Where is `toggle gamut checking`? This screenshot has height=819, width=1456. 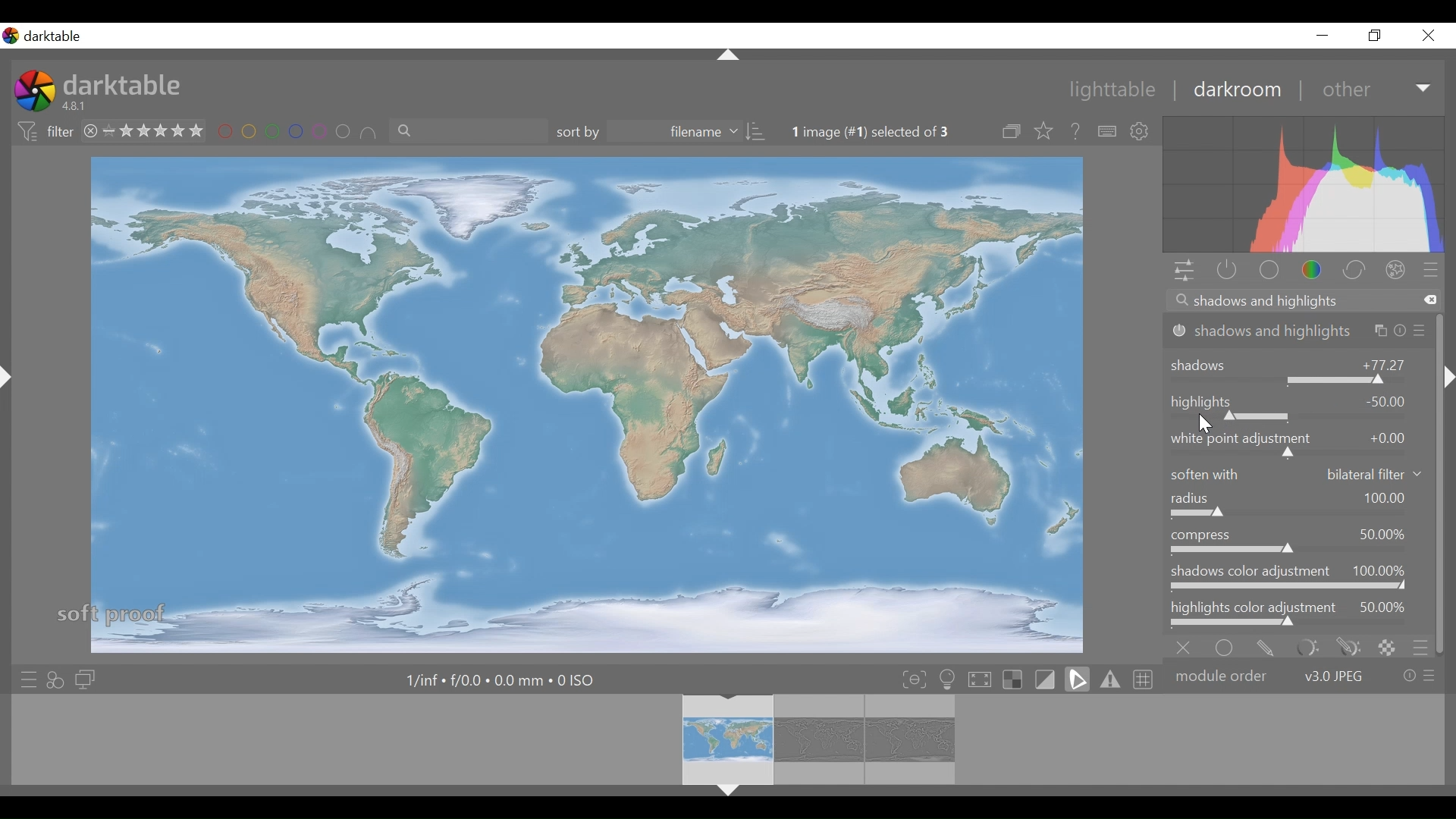 toggle gamut checking is located at coordinates (1109, 679).